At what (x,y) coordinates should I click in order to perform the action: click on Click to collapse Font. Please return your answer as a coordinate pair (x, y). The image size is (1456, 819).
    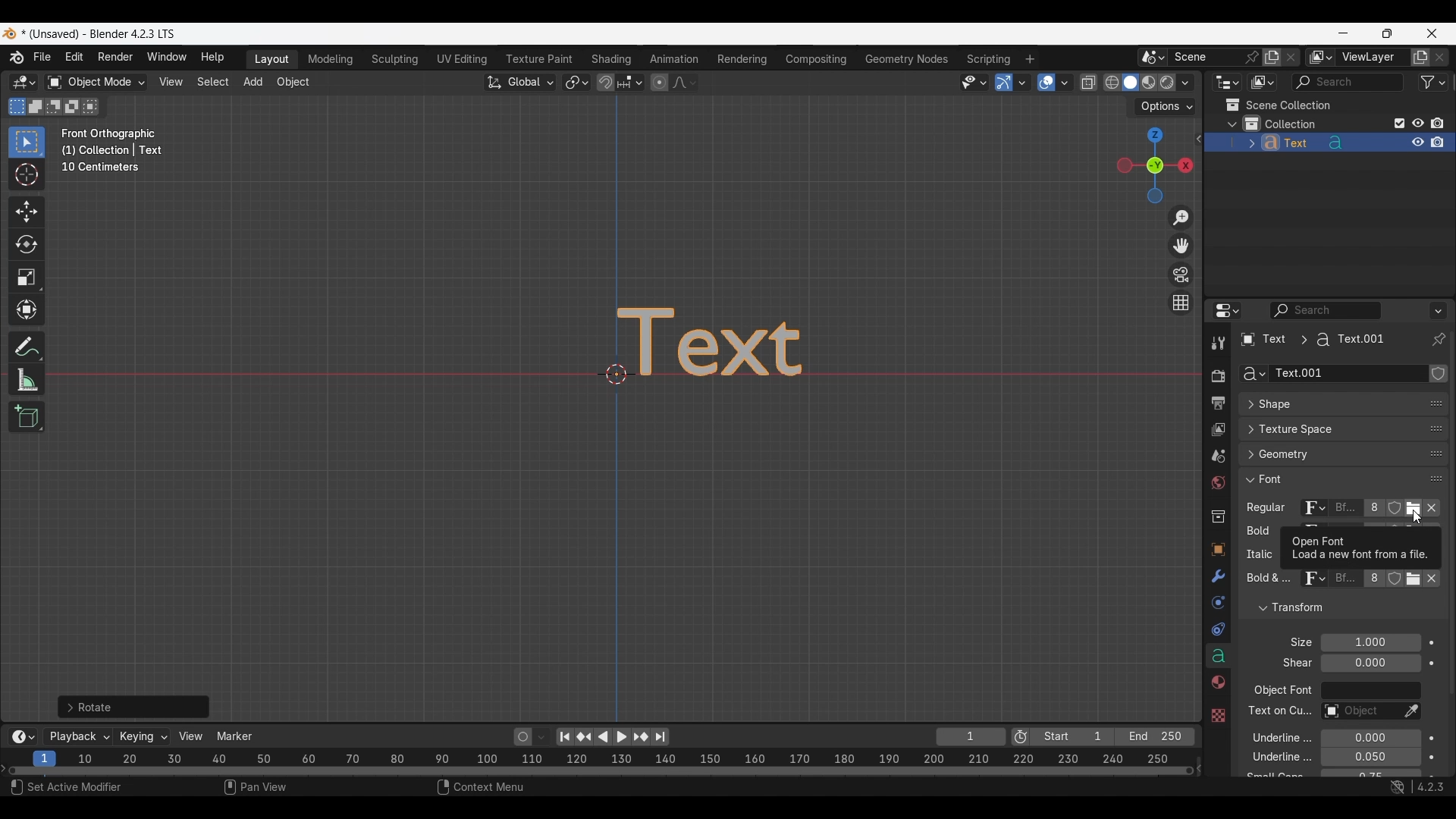
    Looking at the image, I should click on (1328, 479).